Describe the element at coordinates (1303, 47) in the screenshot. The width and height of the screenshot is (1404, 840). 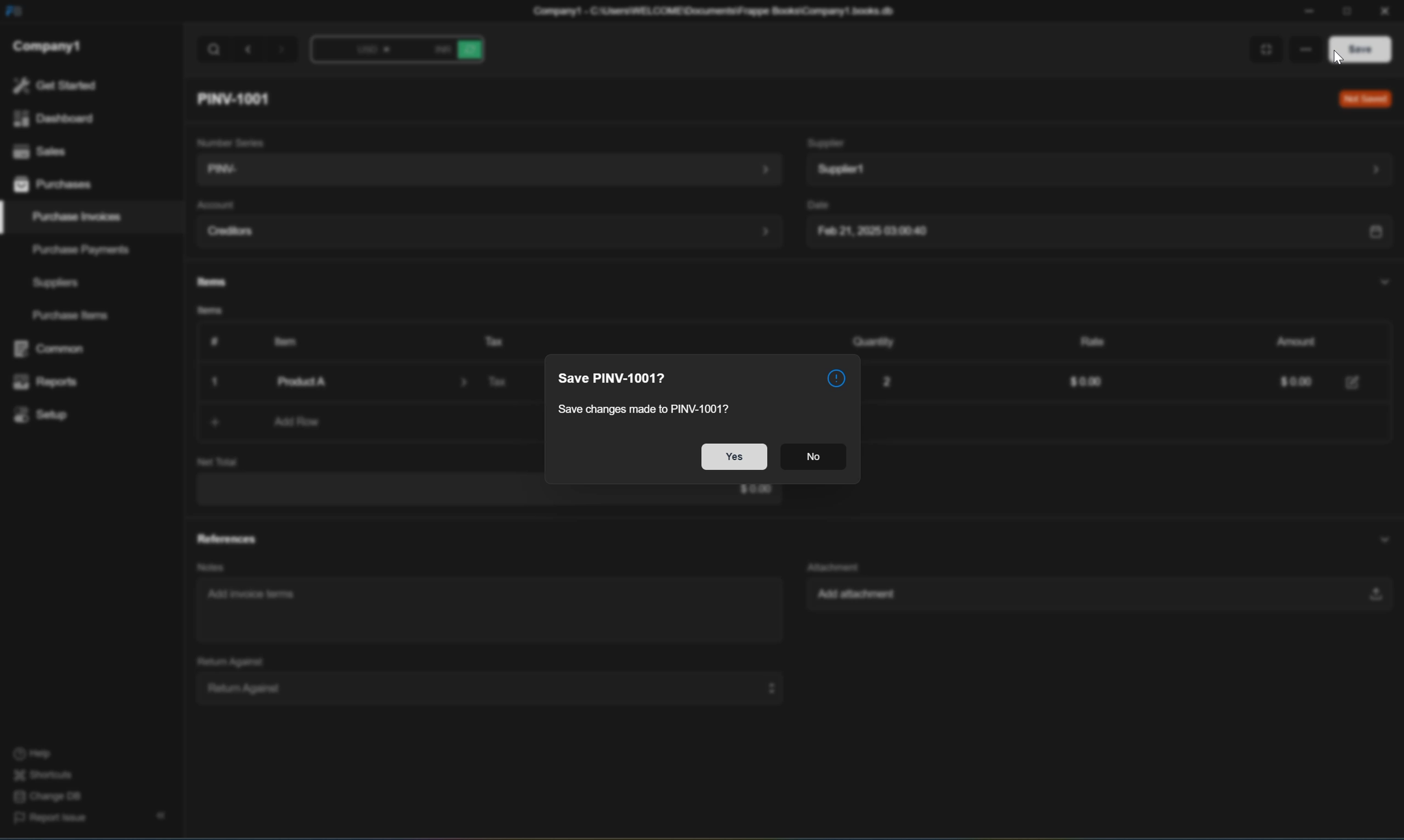
I see `More options` at that location.